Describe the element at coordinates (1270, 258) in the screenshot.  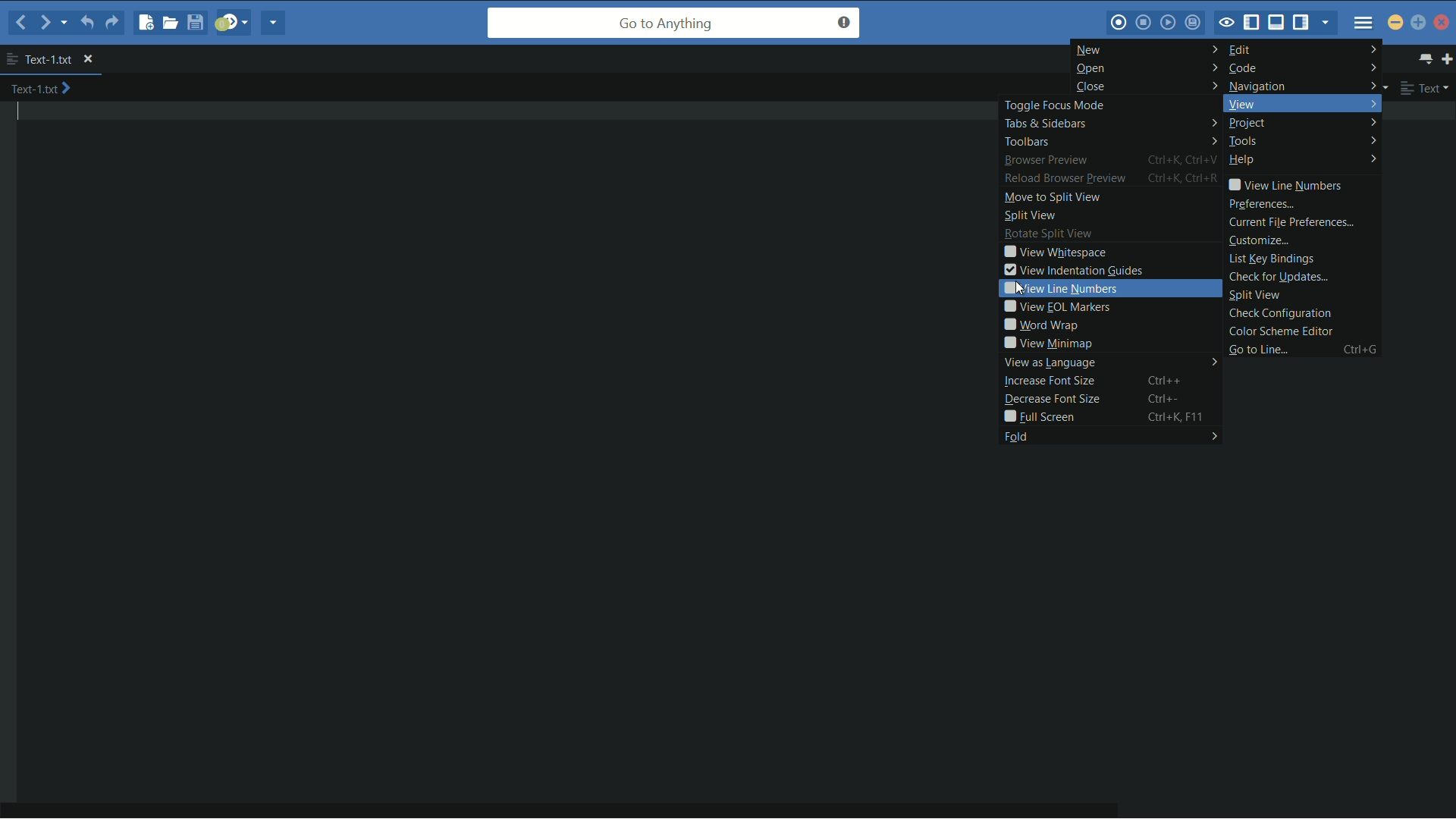
I see `list key bindings` at that location.